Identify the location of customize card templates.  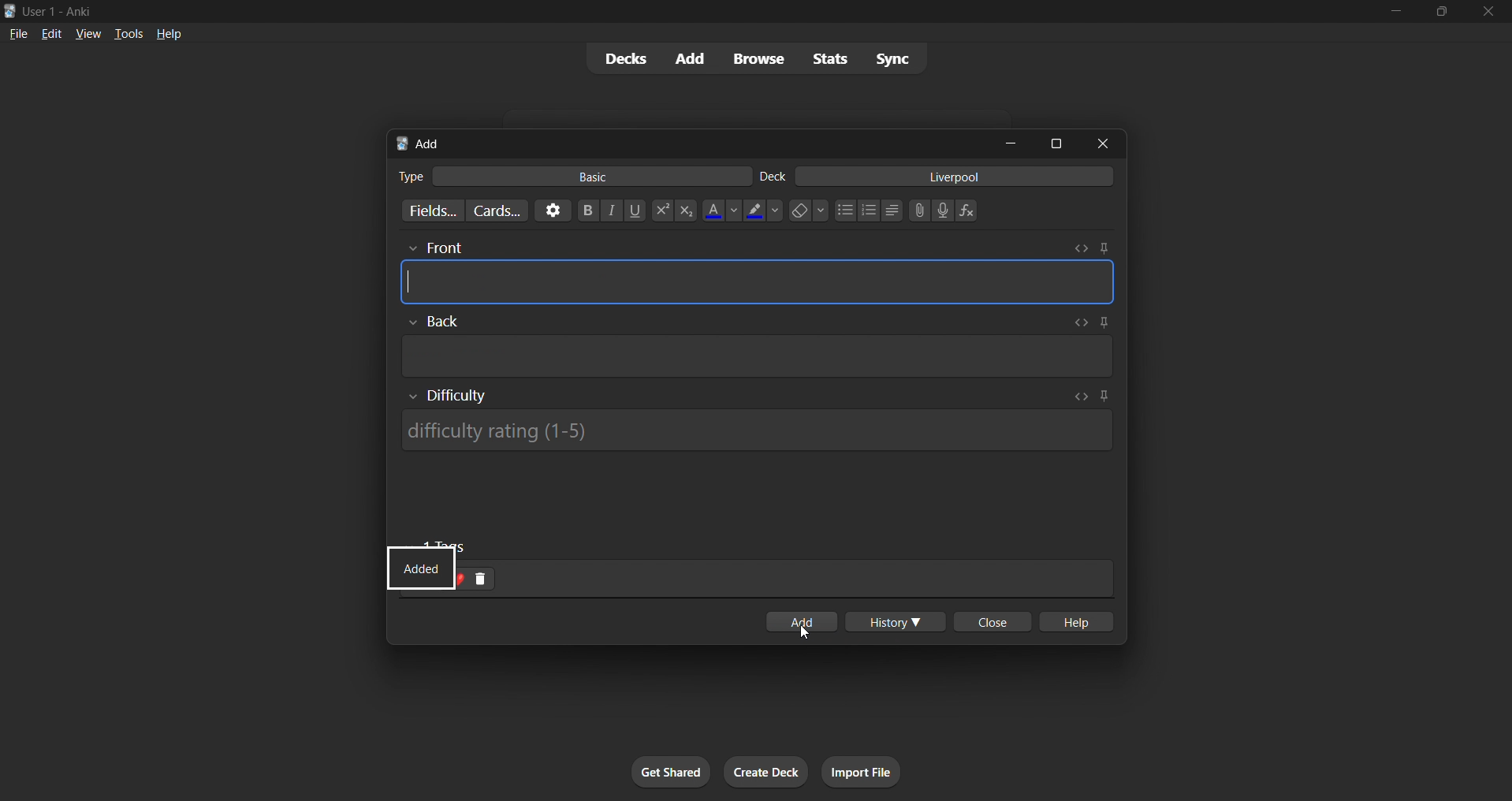
(495, 210).